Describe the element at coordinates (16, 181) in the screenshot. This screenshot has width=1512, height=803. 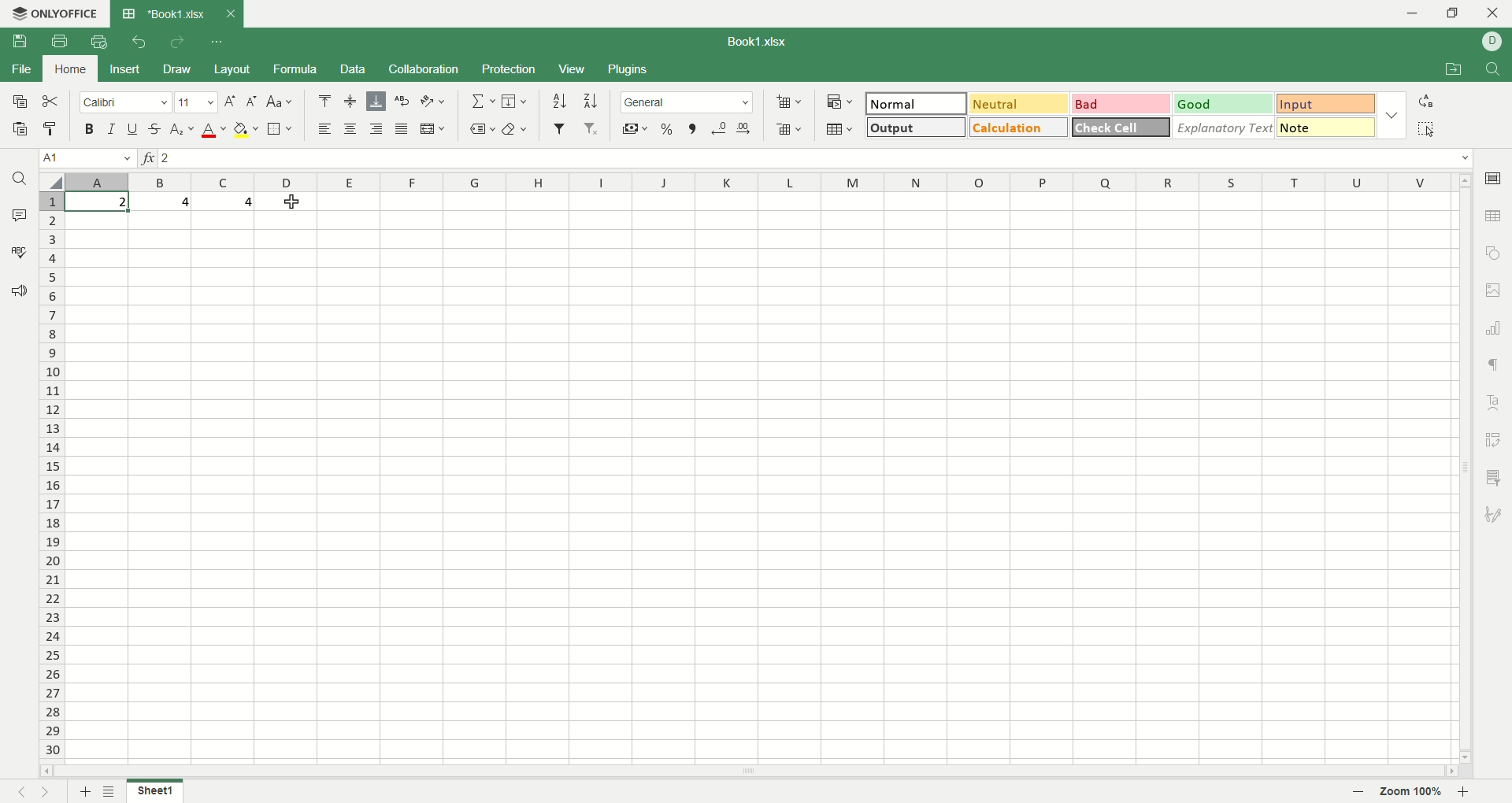
I see `search` at that location.